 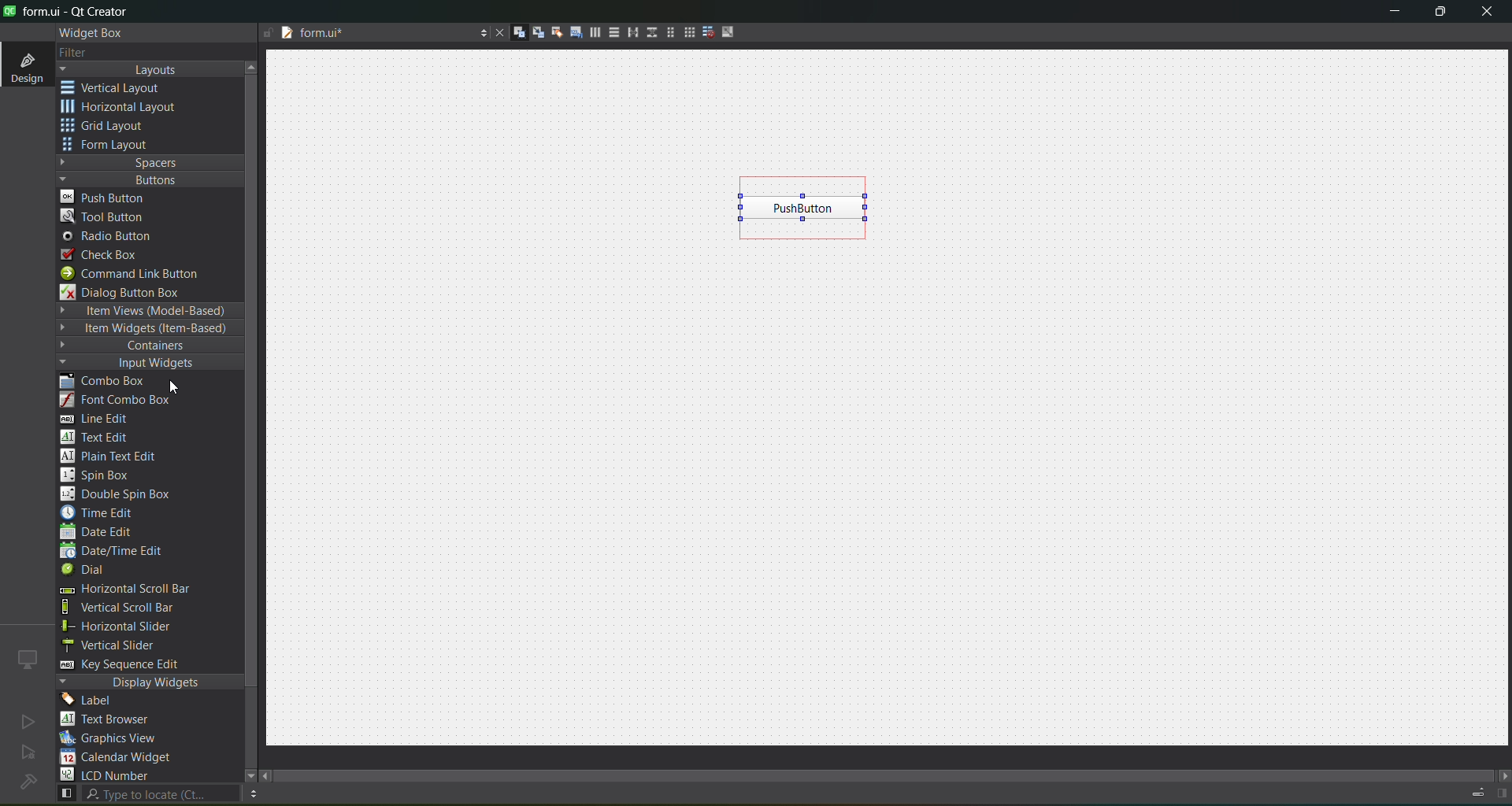 I want to click on item widgets, so click(x=146, y=329).